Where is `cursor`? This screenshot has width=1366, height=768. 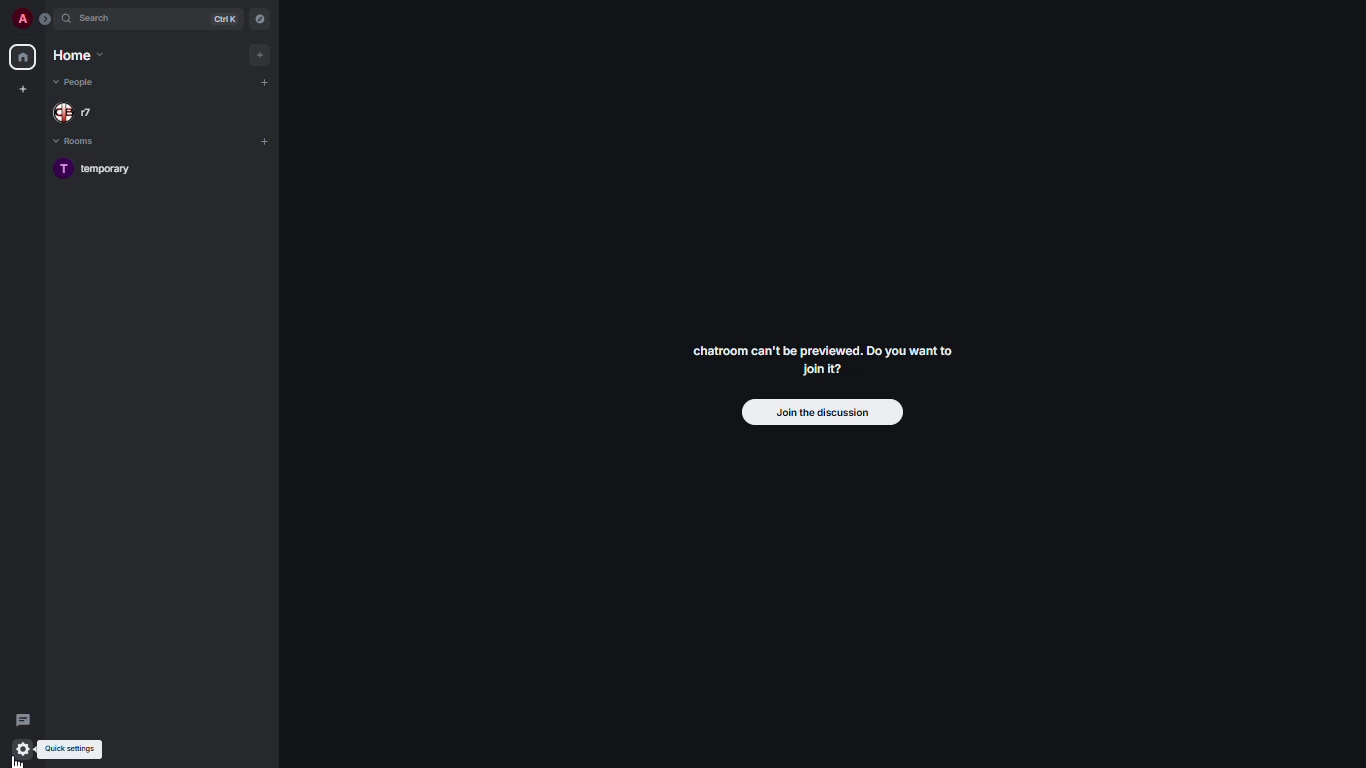
cursor is located at coordinates (18, 758).